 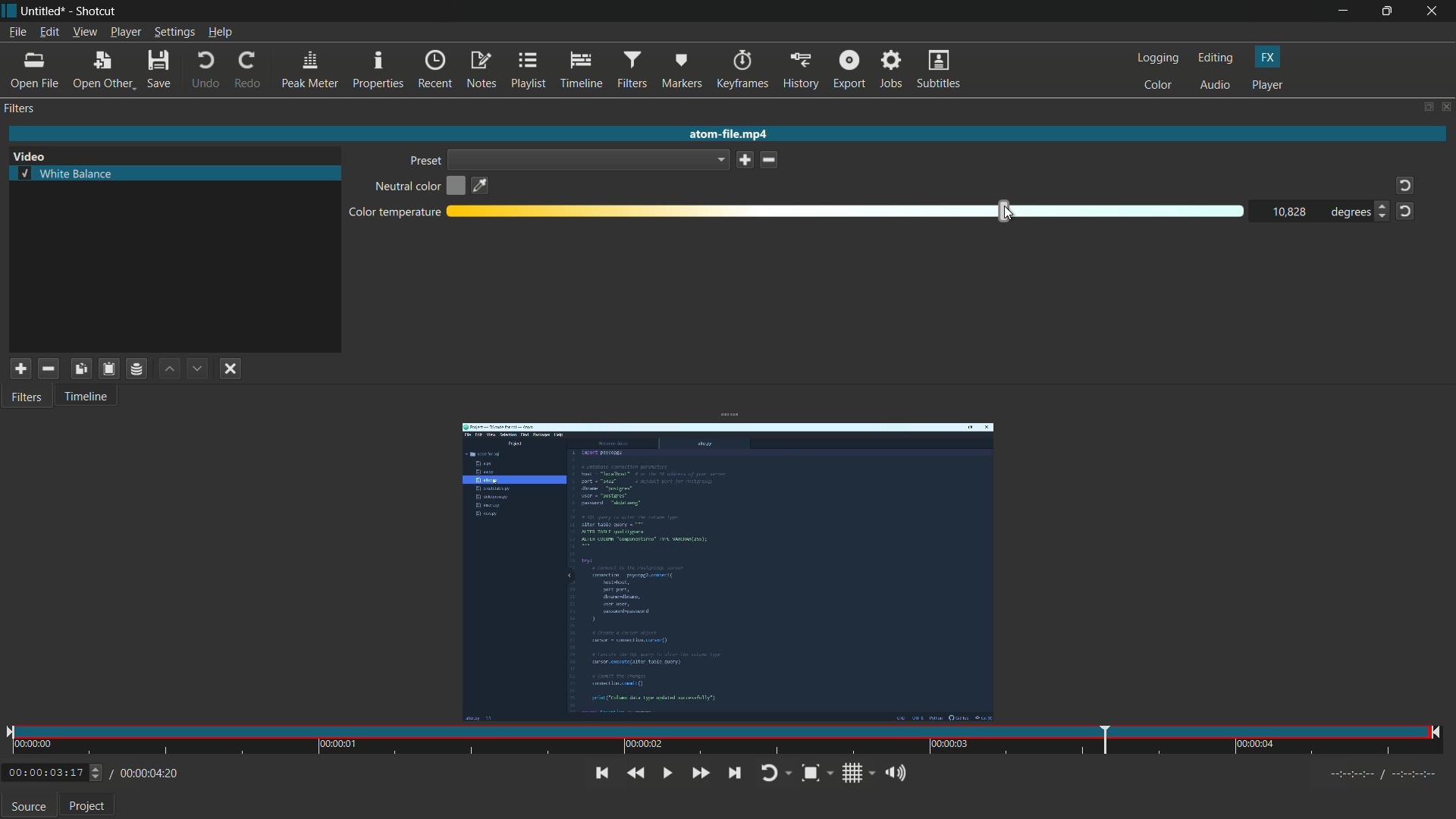 What do you see at coordinates (1405, 212) in the screenshot?
I see `reset to default` at bounding box center [1405, 212].